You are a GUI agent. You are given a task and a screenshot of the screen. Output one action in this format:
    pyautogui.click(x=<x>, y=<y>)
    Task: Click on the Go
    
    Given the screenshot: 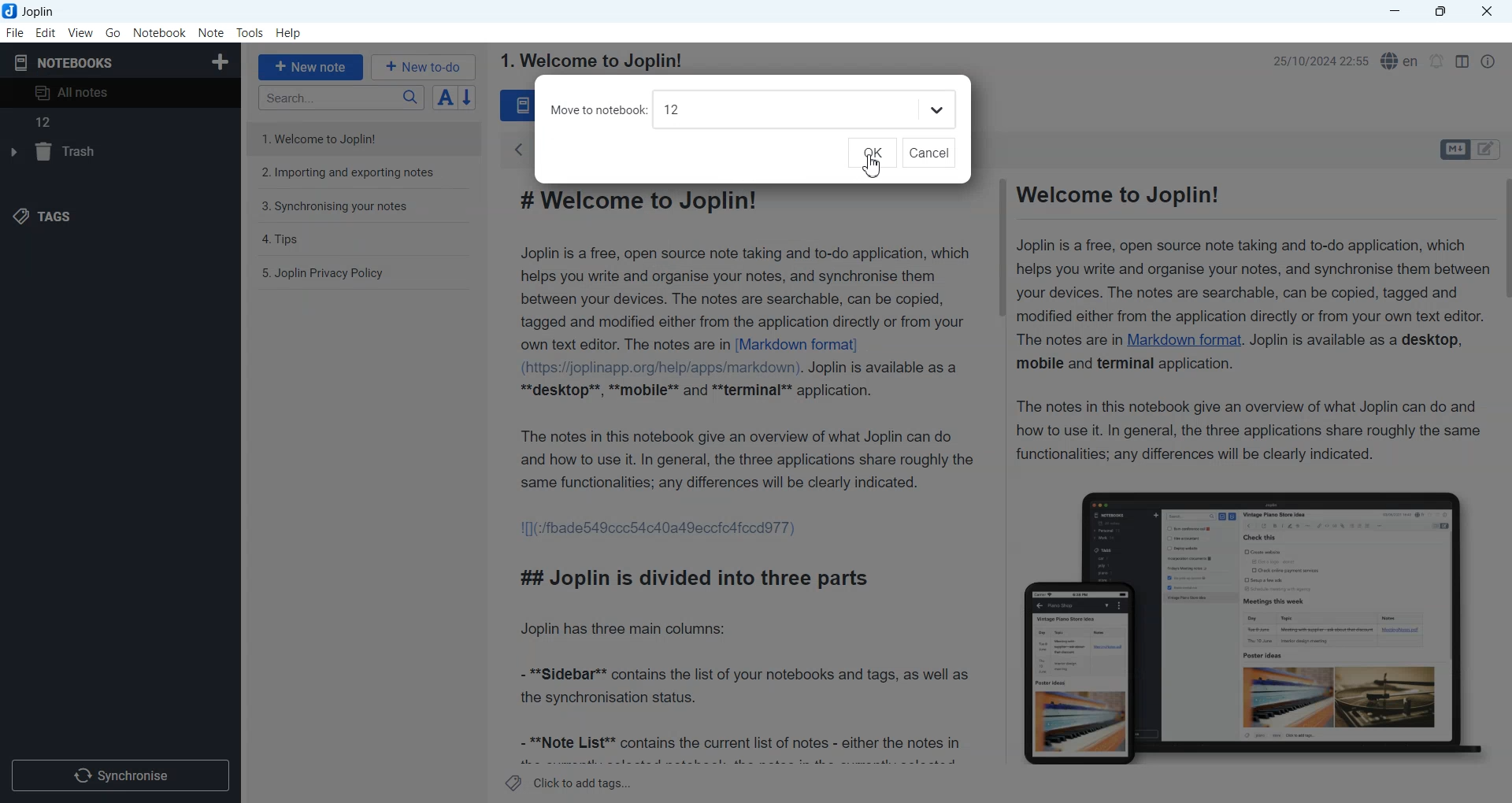 What is the action you would take?
    pyautogui.click(x=114, y=32)
    